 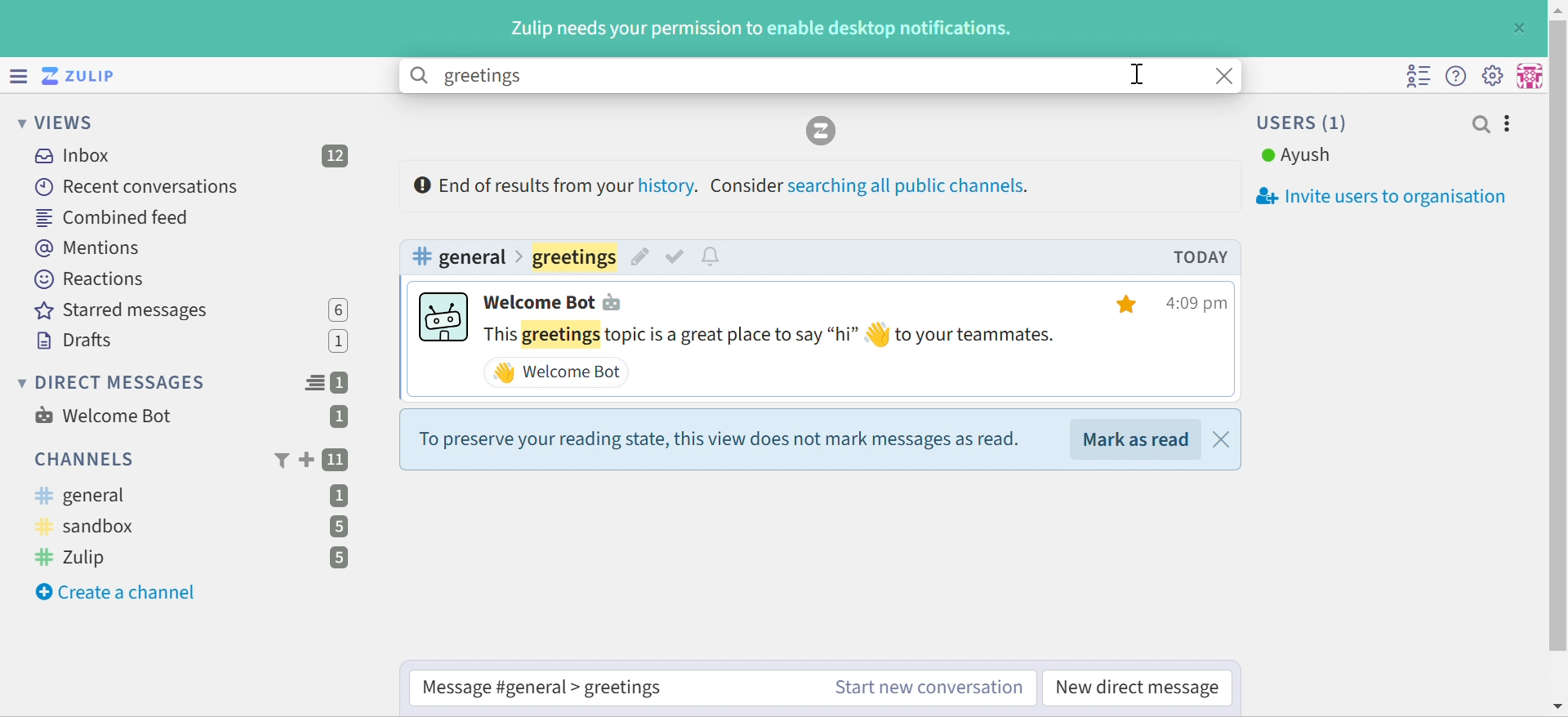 What do you see at coordinates (1304, 122) in the screenshot?
I see `USERS(1)` at bounding box center [1304, 122].